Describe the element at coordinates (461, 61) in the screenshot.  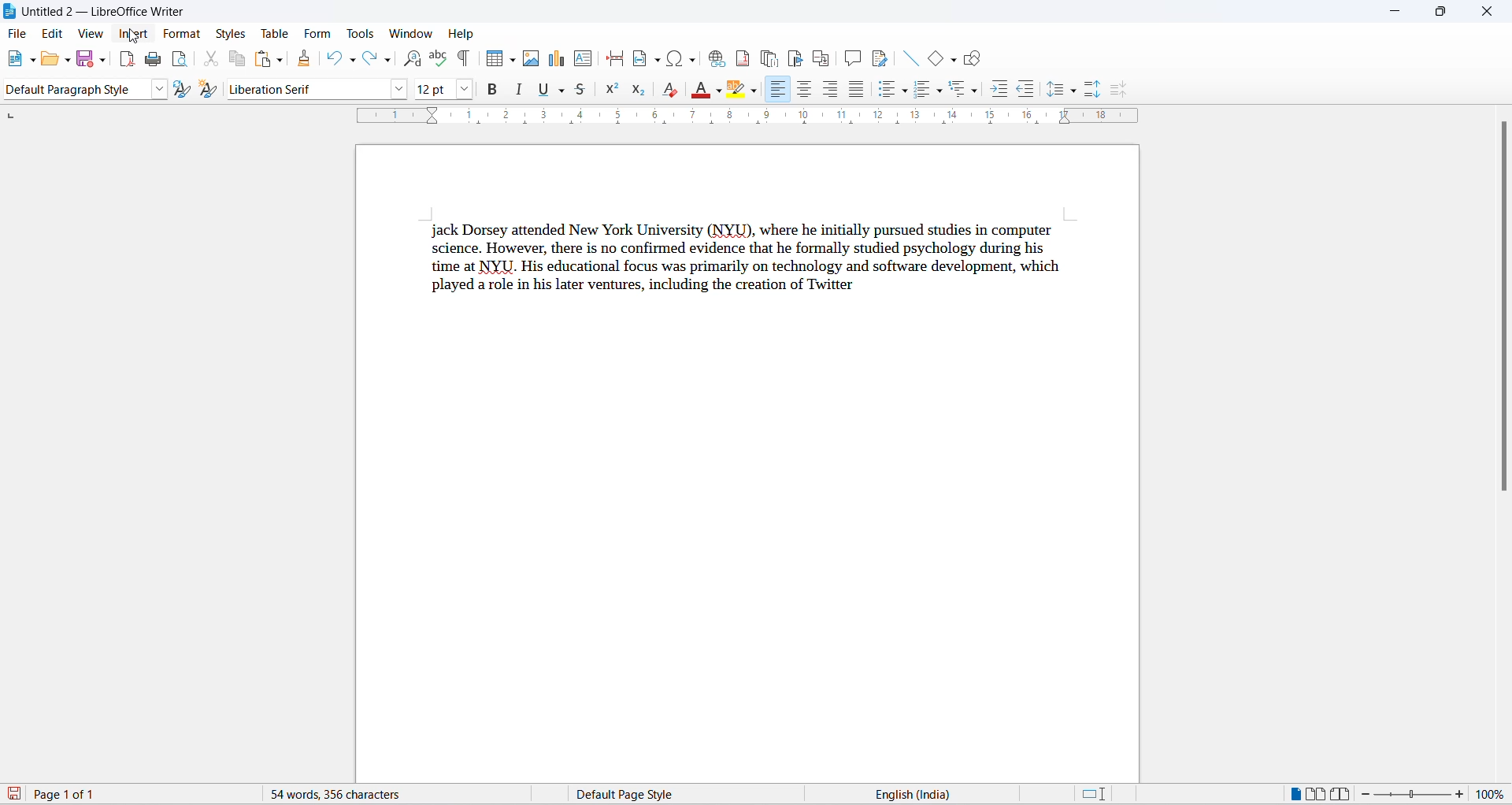
I see `toggle formatting marks` at that location.